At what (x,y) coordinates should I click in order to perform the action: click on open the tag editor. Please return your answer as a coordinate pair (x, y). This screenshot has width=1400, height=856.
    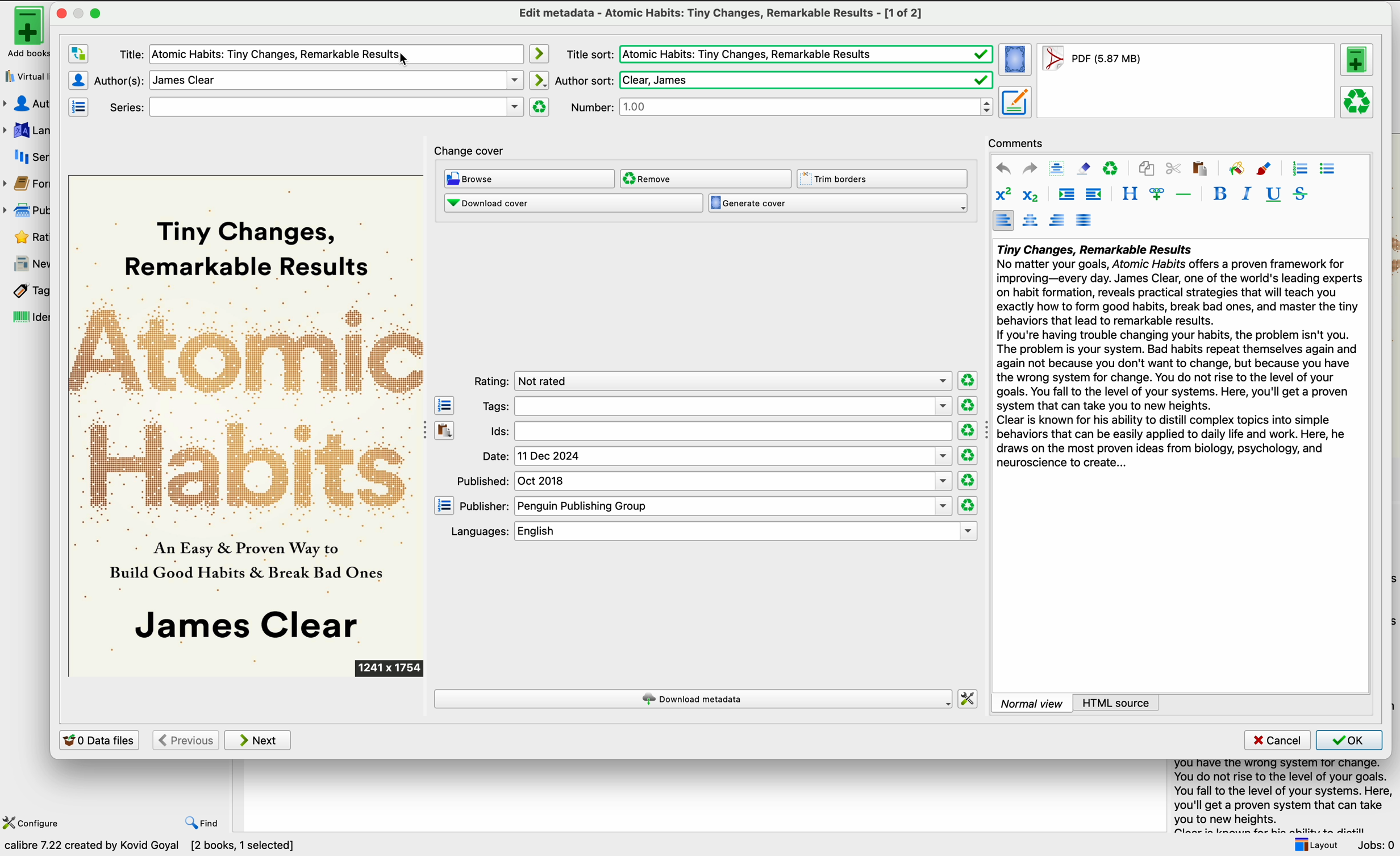
    Looking at the image, I should click on (444, 405).